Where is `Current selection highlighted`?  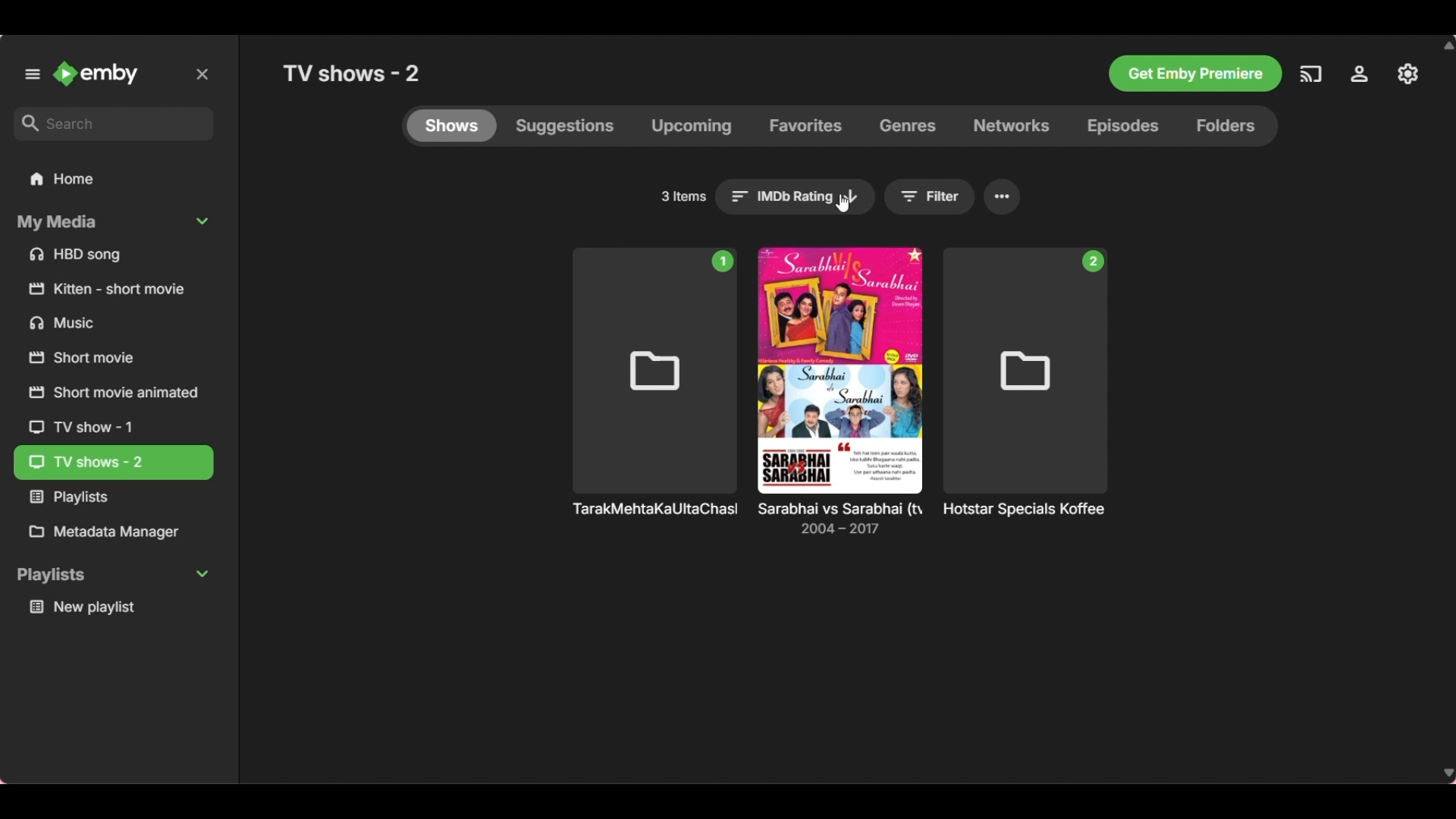 Current selection highlighted is located at coordinates (115, 463).